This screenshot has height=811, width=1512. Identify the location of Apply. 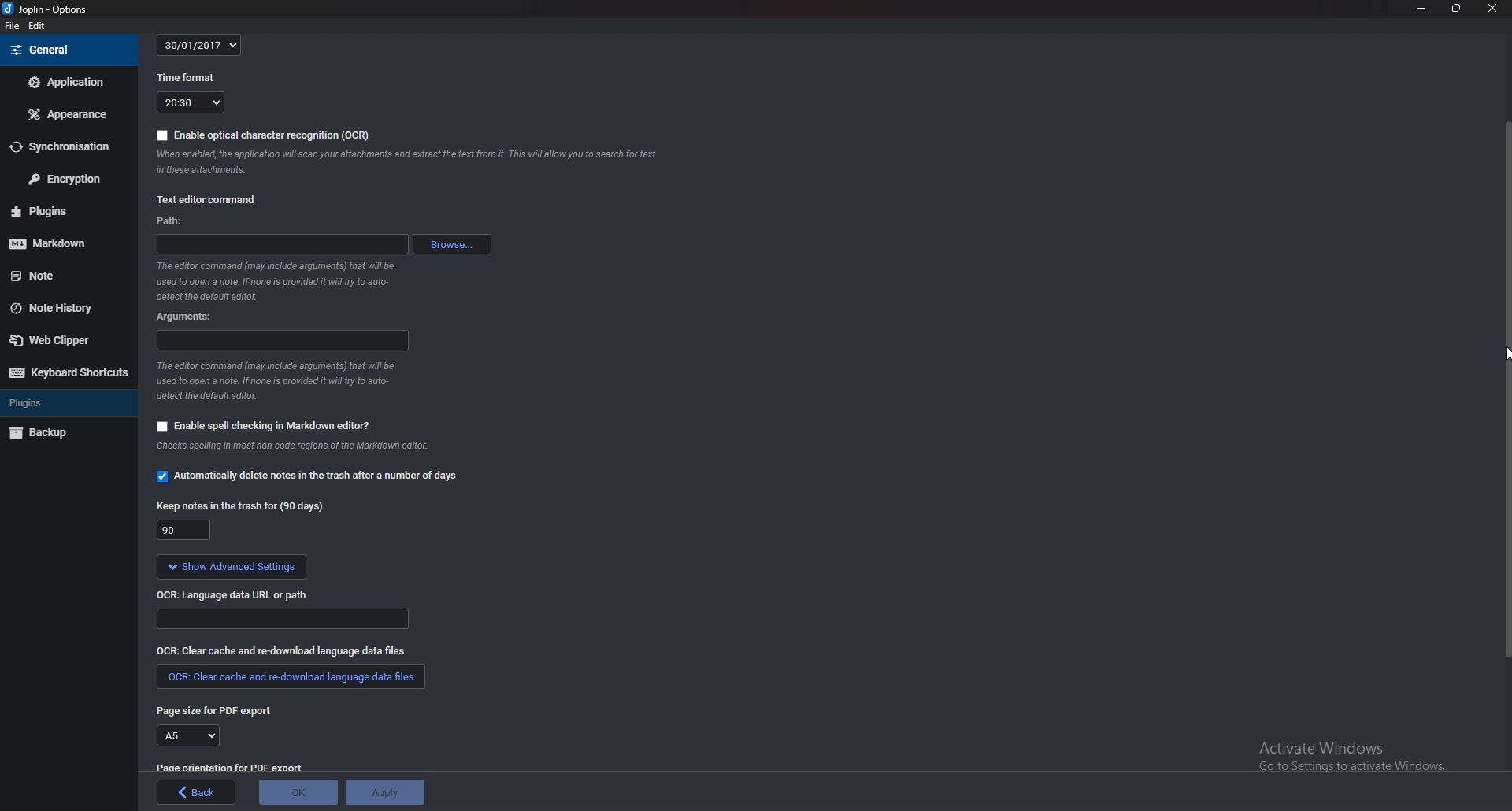
(387, 791).